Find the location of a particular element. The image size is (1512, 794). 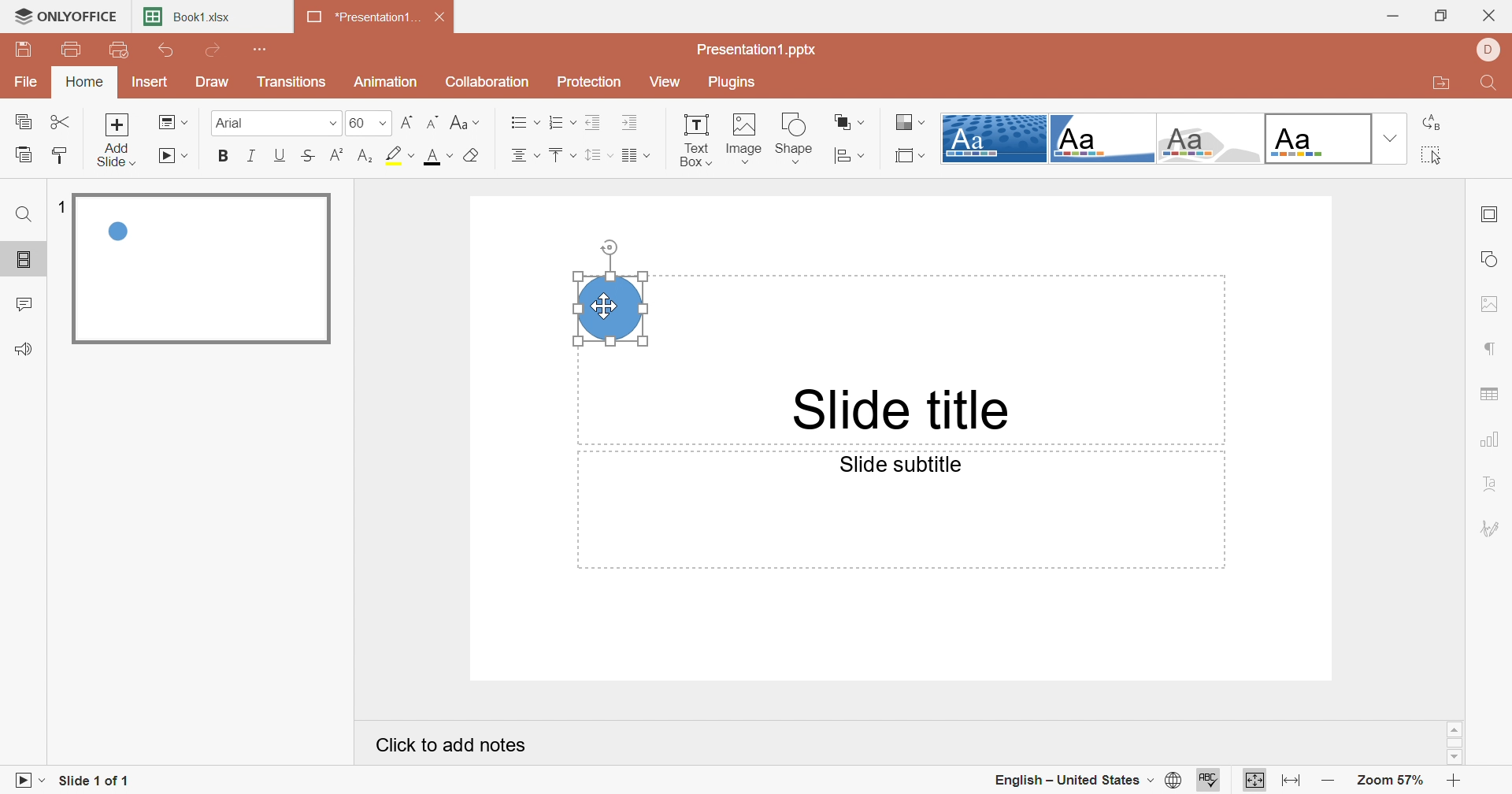

Copy style is located at coordinates (60, 154).